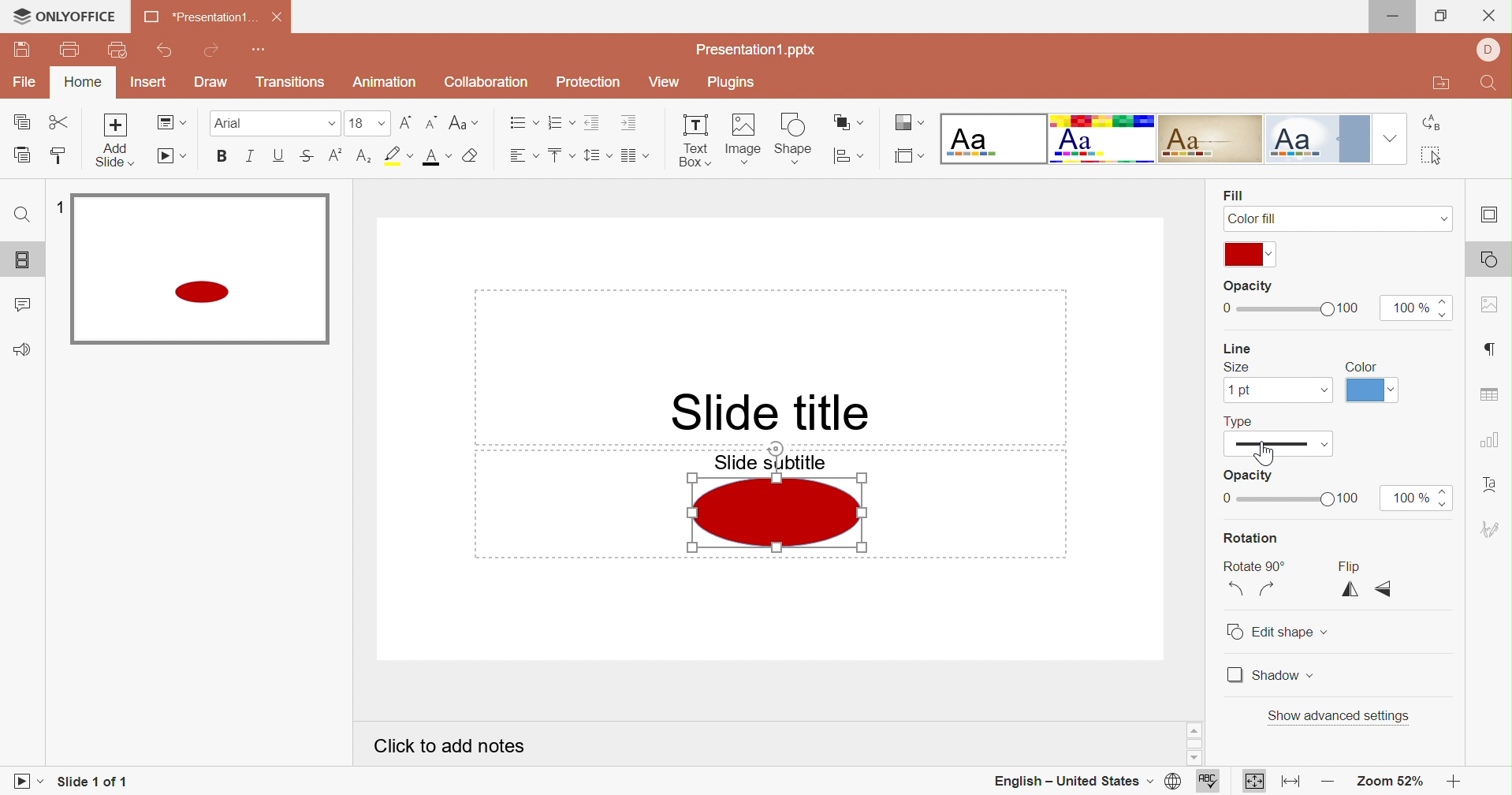 This screenshot has height=795, width=1512. Describe the element at coordinates (1255, 782) in the screenshot. I see `Fit to slide` at that location.